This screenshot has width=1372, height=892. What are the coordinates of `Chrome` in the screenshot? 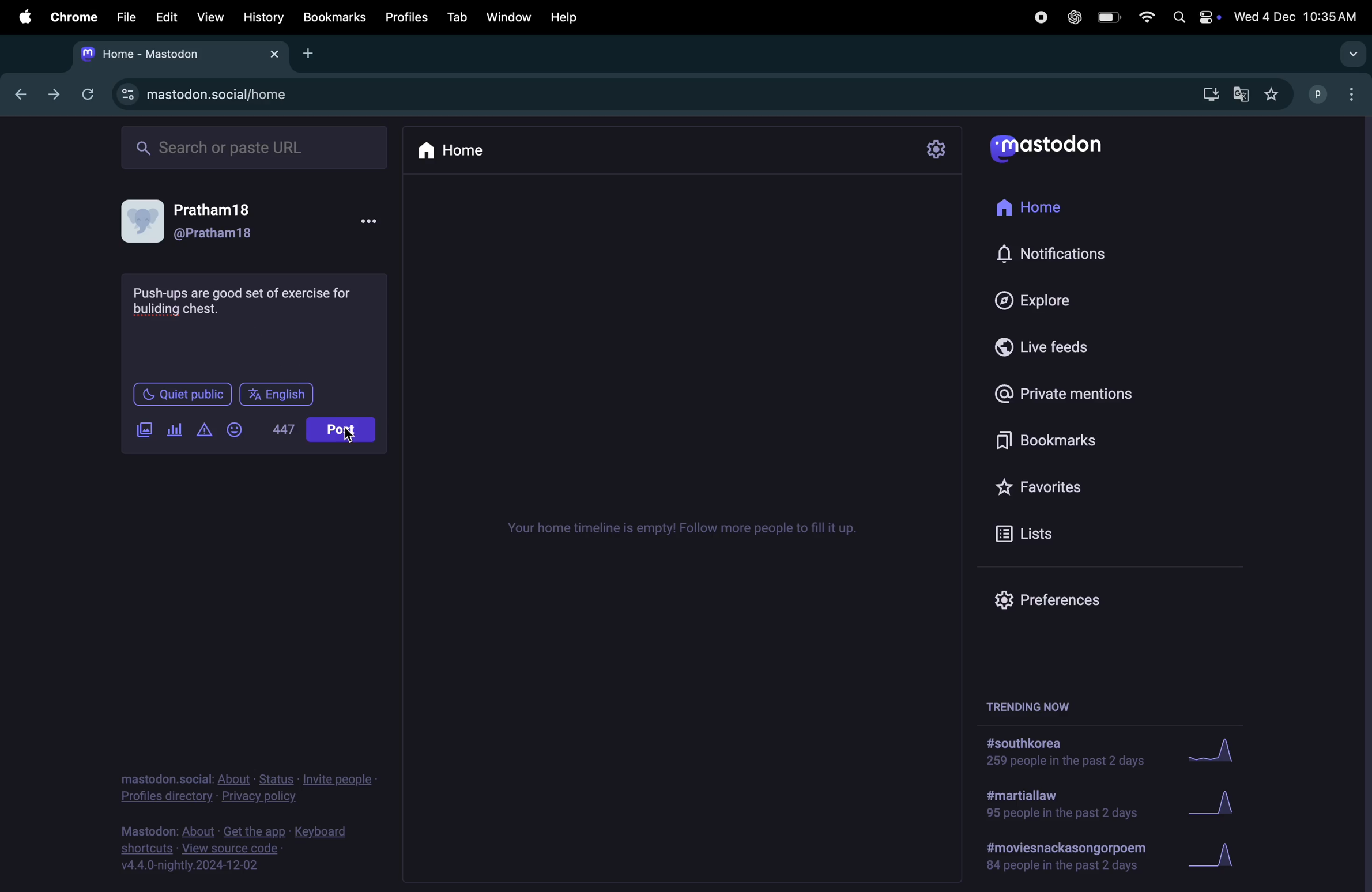 It's located at (72, 17).